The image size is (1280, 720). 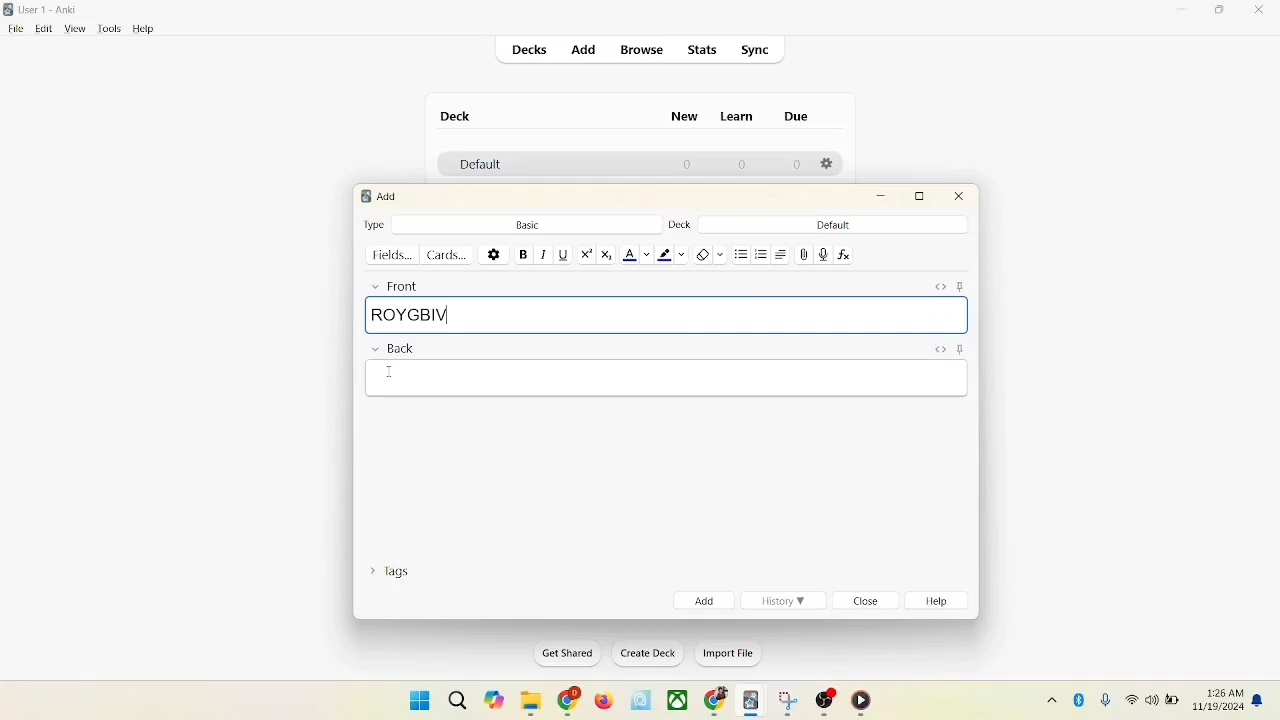 I want to click on text highlight color, so click(x=670, y=254).